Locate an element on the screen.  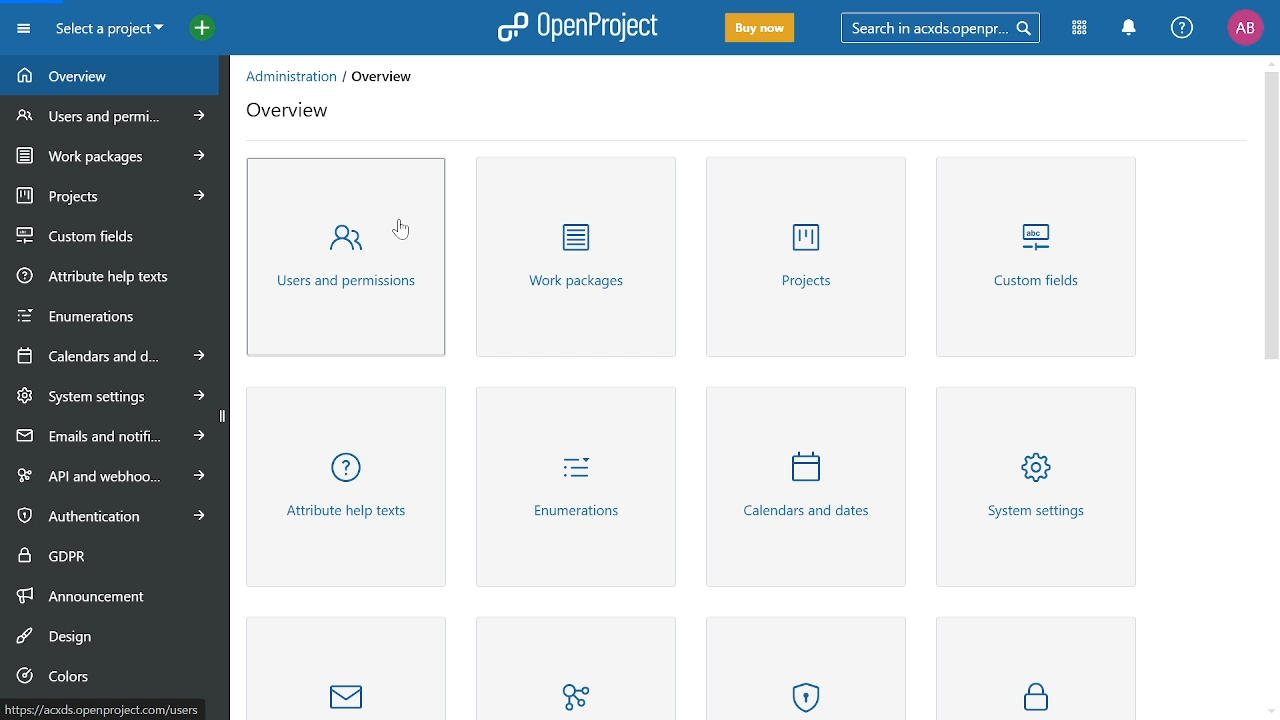
overview is located at coordinates (391, 75).